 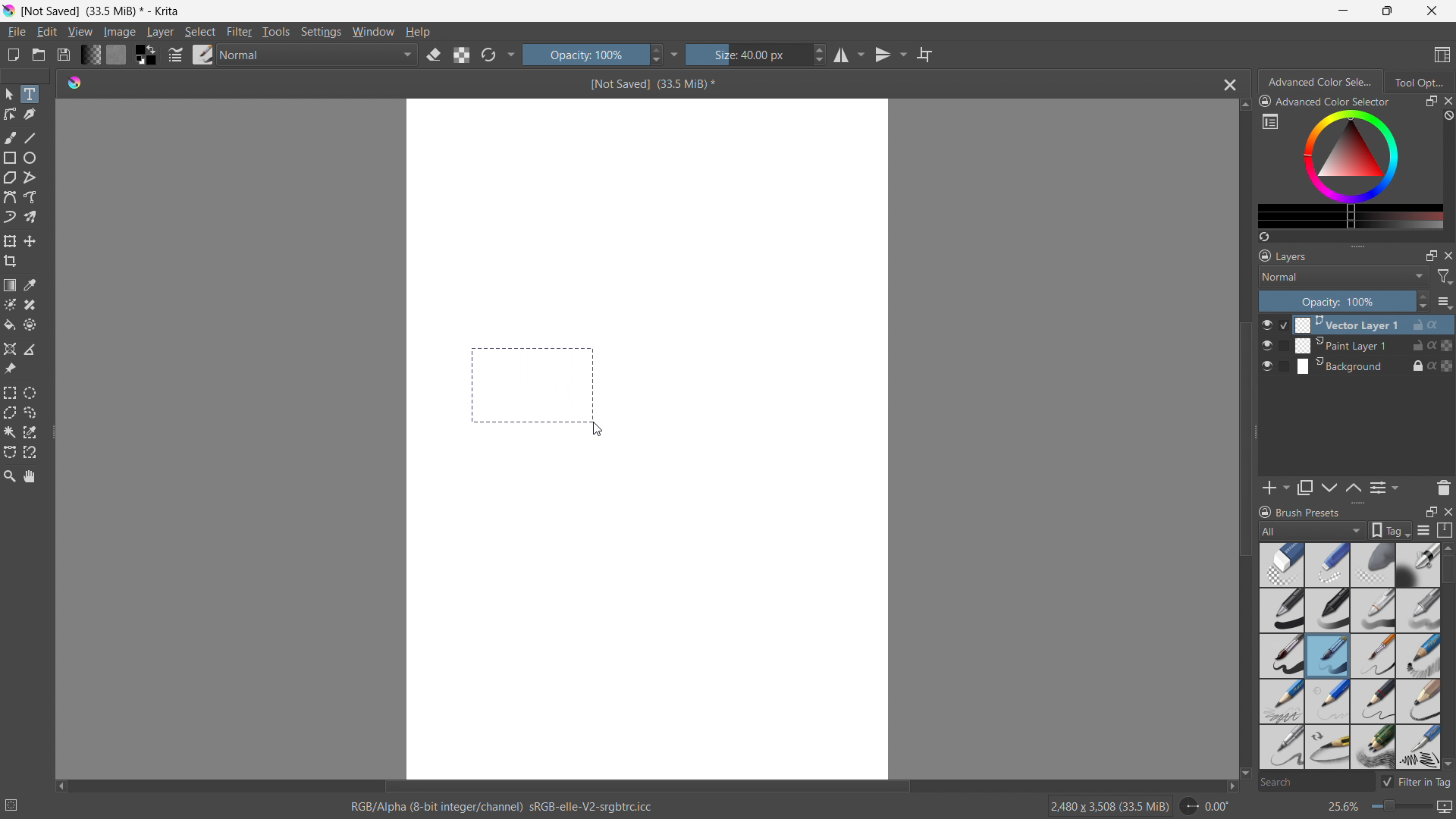 I want to click on Paint Layer 1, so click(x=1367, y=346).